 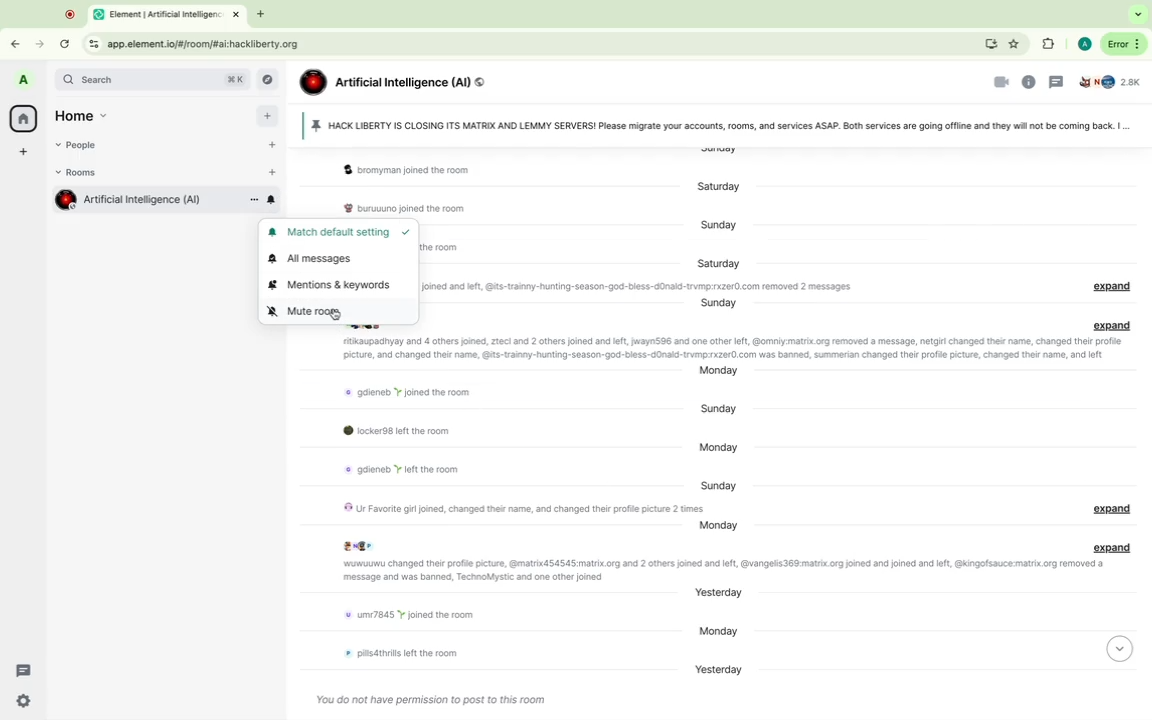 I want to click on New tab, so click(x=263, y=14).